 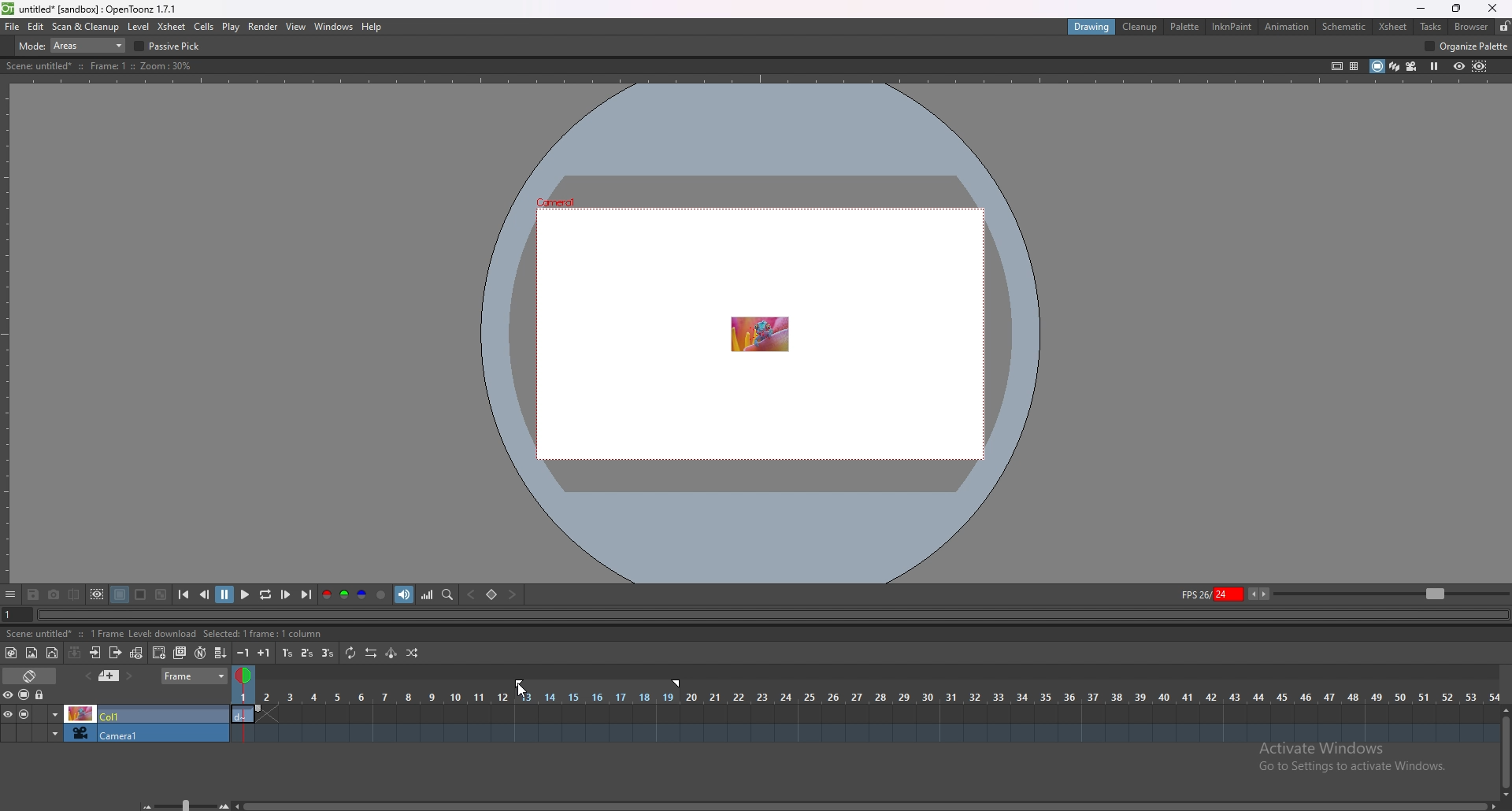 What do you see at coordinates (865, 805) in the screenshot?
I see `scroll bar` at bounding box center [865, 805].